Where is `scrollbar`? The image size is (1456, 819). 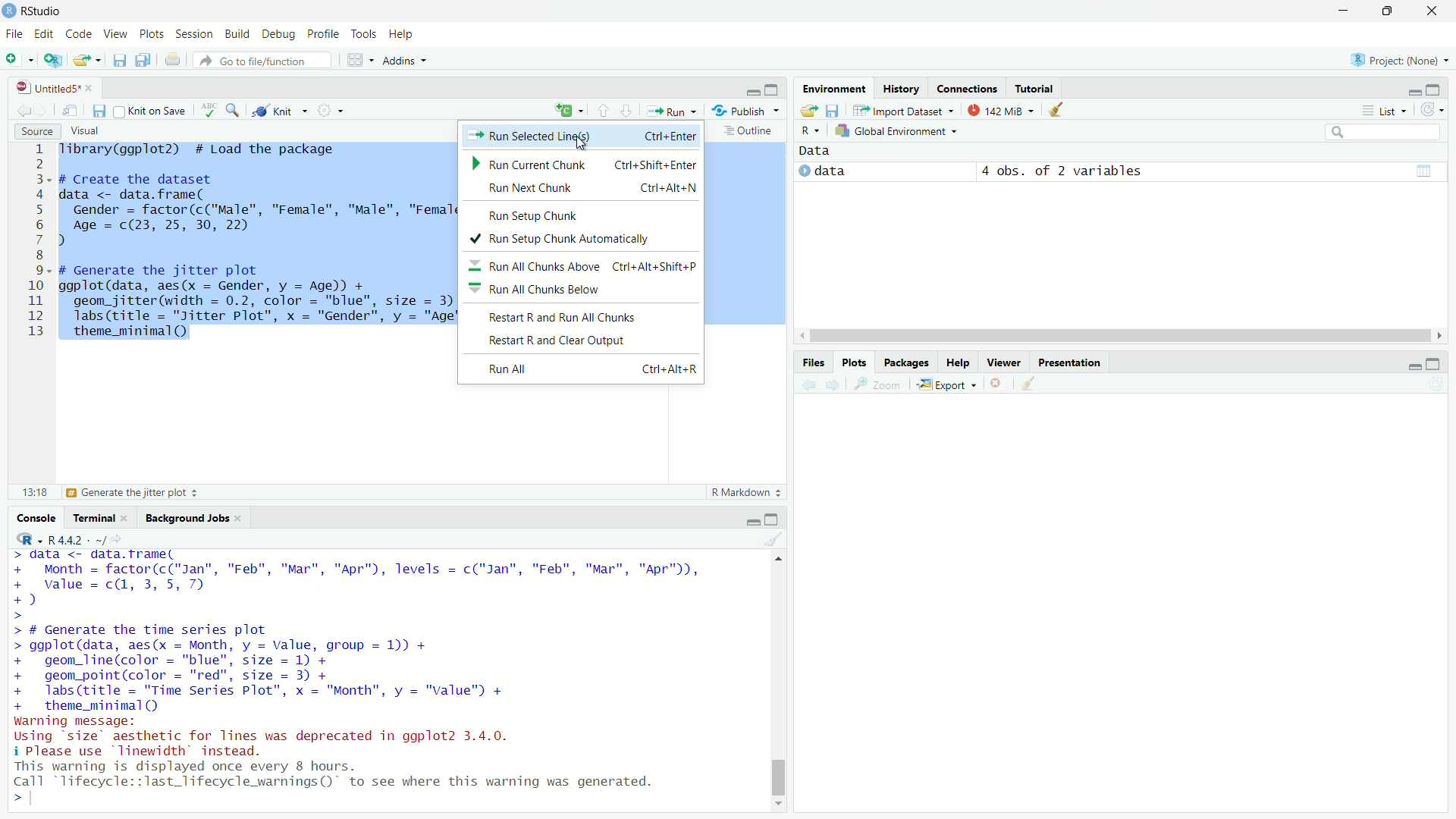 scrollbar is located at coordinates (1122, 337).